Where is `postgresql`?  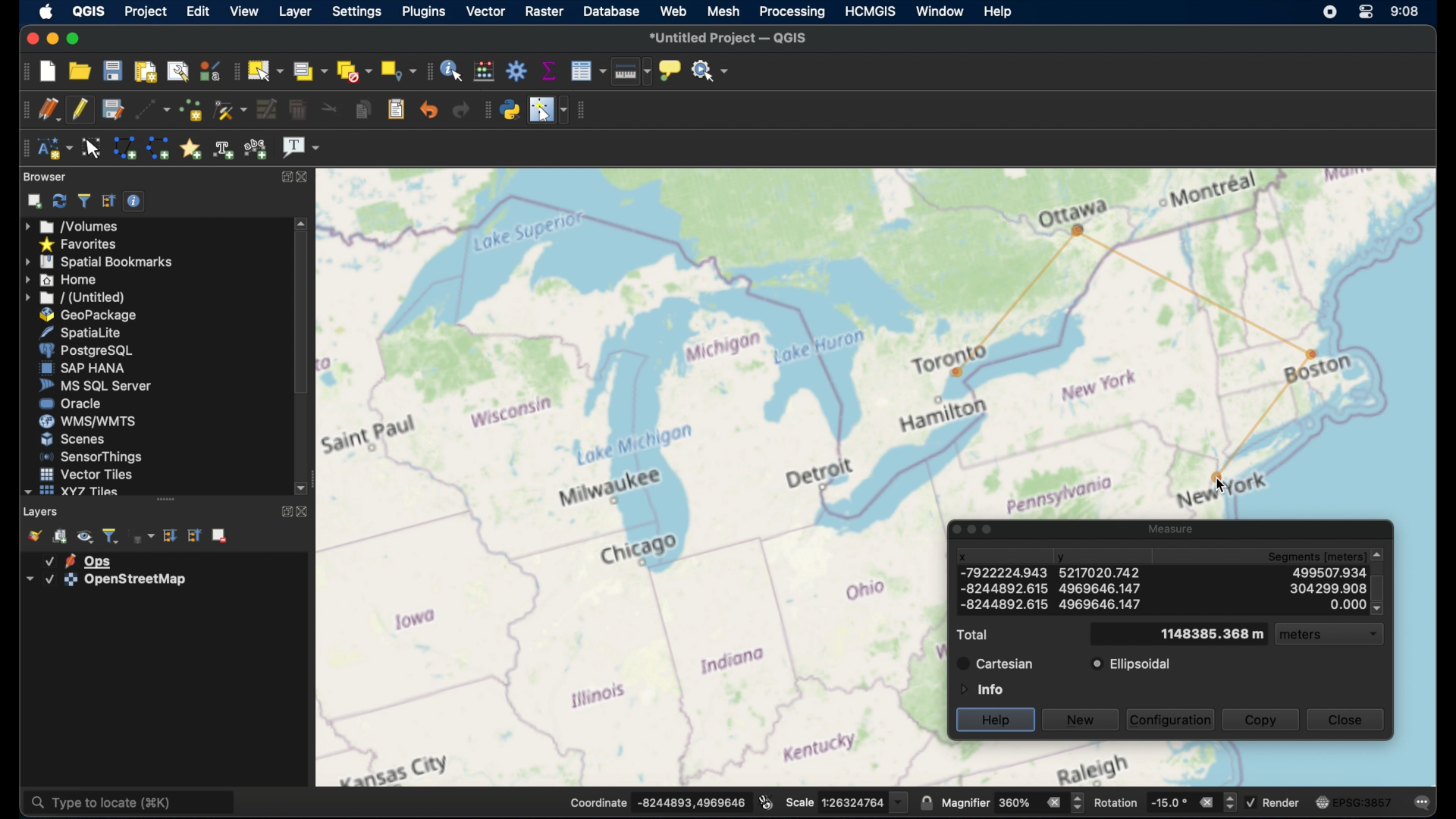
postgresql is located at coordinates (92, 350).